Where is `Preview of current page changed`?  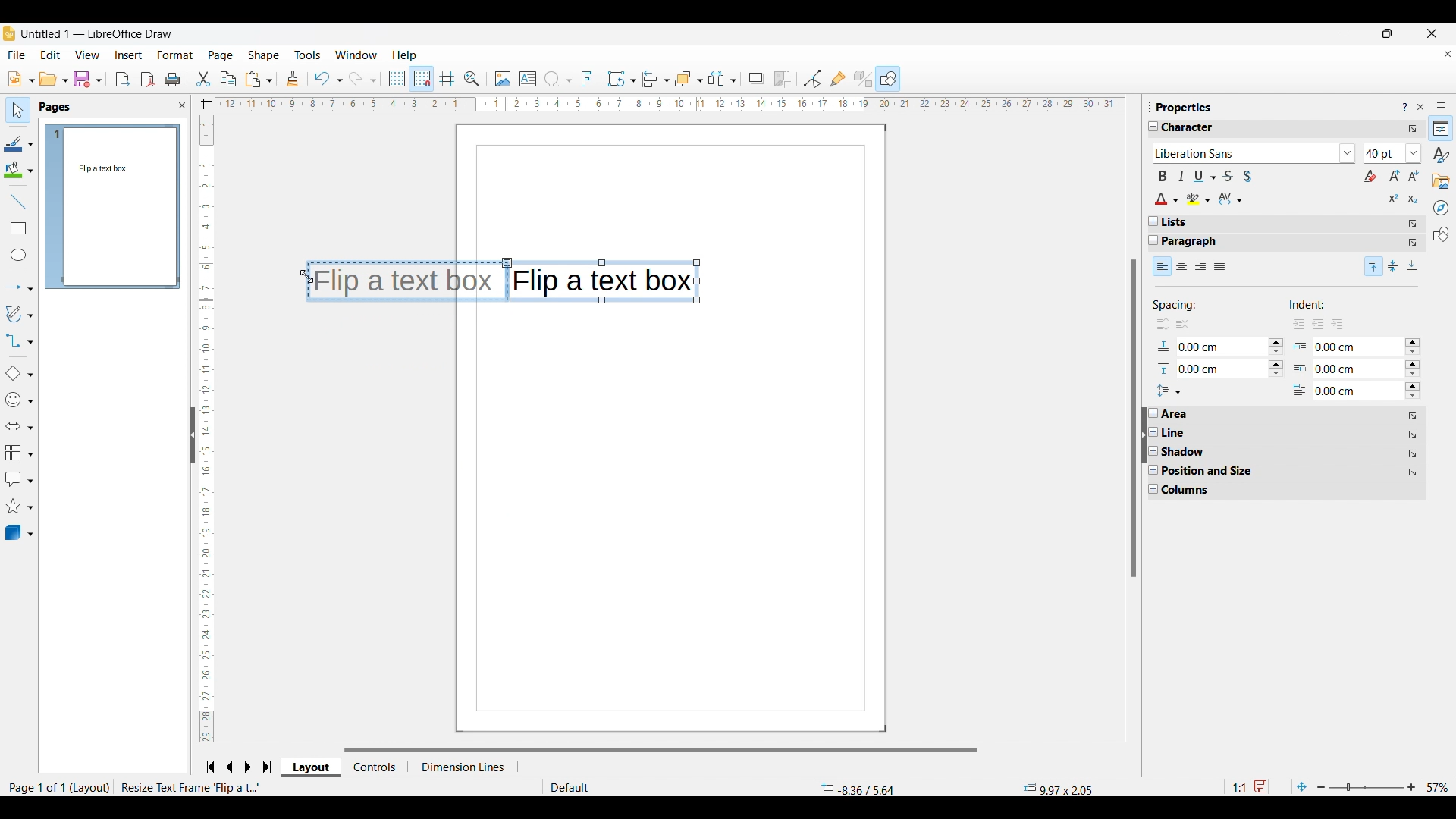 Preview of current page changed is located at coordinates (120, 206).